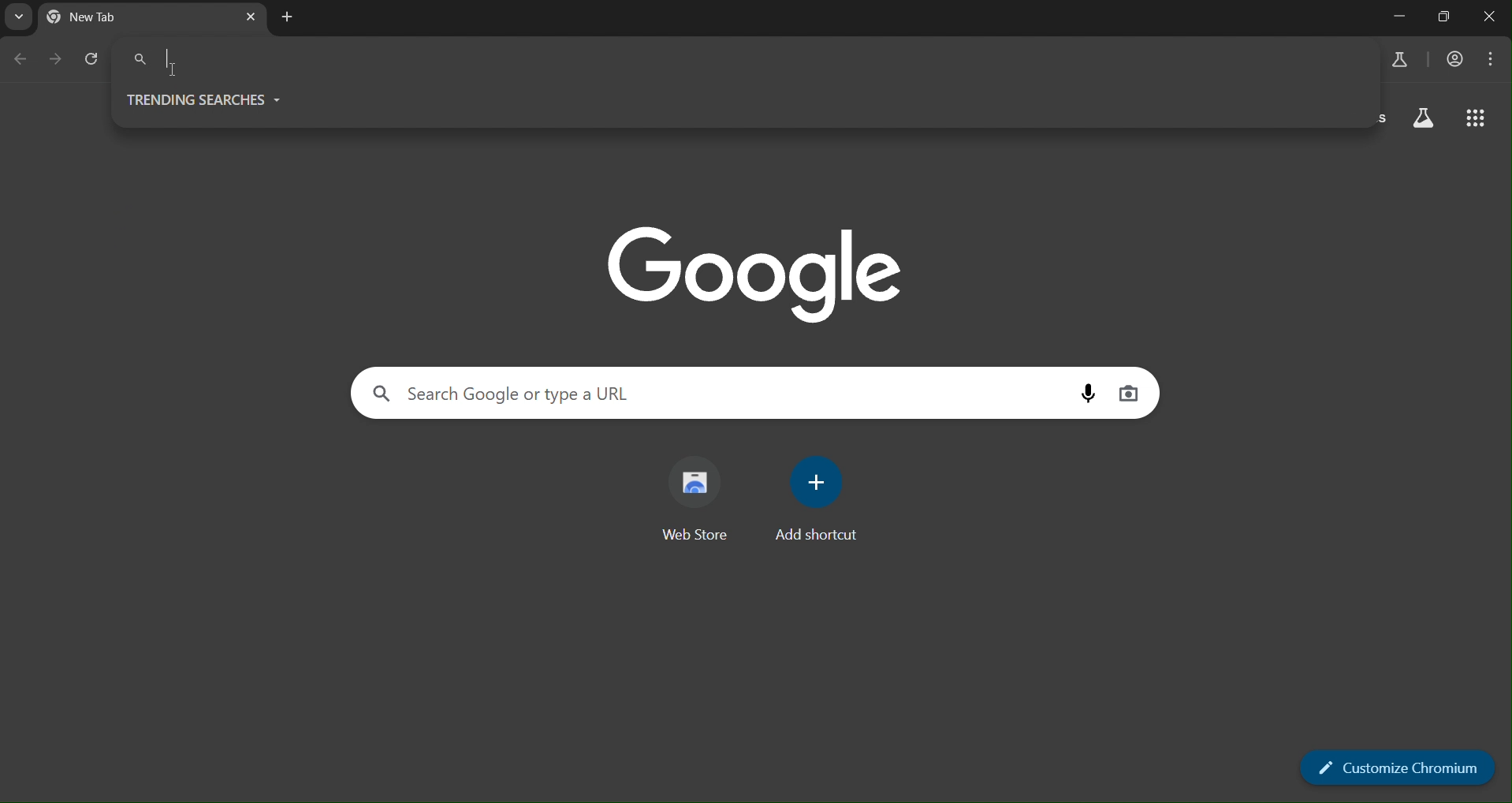  What do you see at coordinates (286, 20) in the screenshot?
I see `new tab` at bounding box center [286, 20].